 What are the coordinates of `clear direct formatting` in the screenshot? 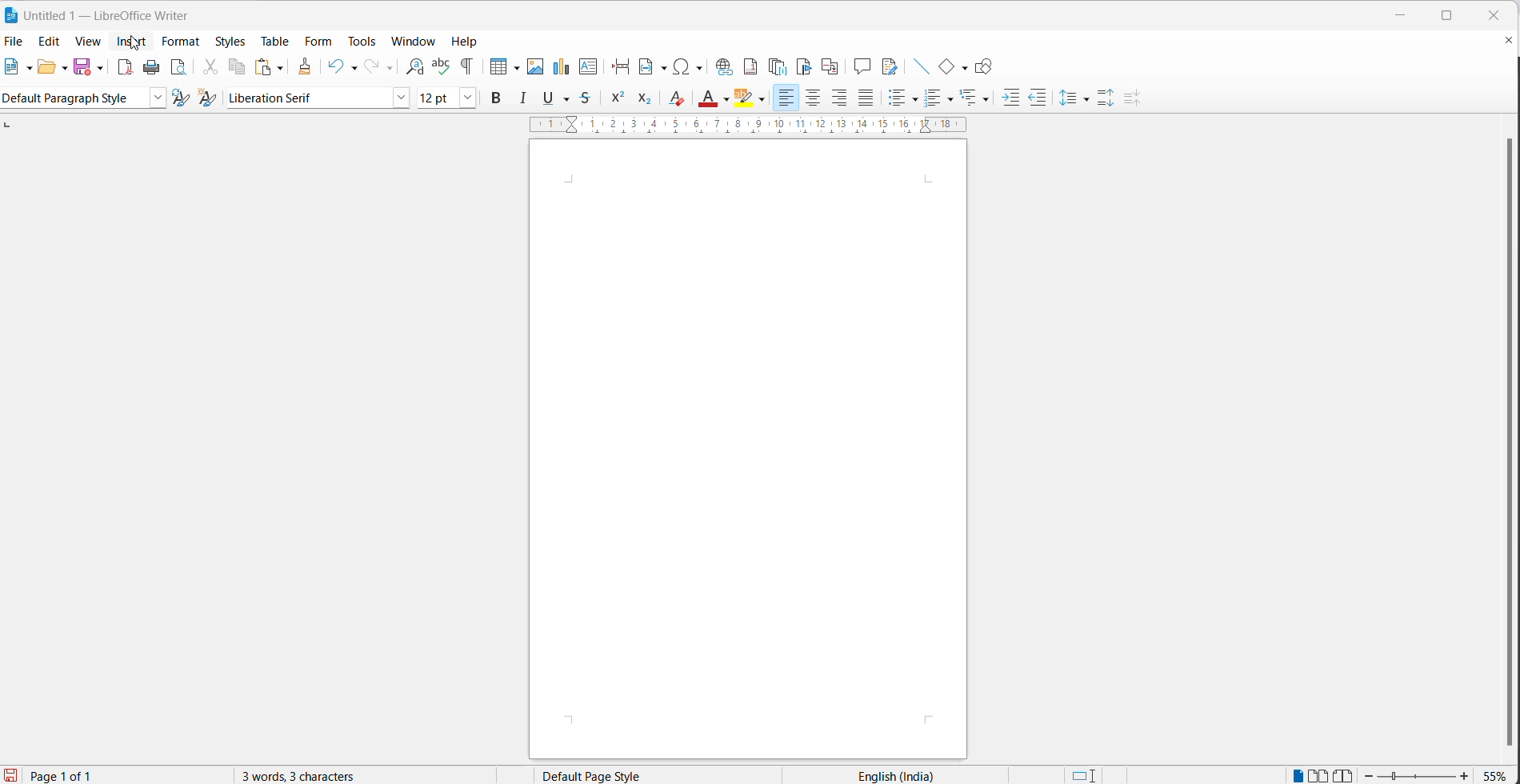 It's located at (679, 99).